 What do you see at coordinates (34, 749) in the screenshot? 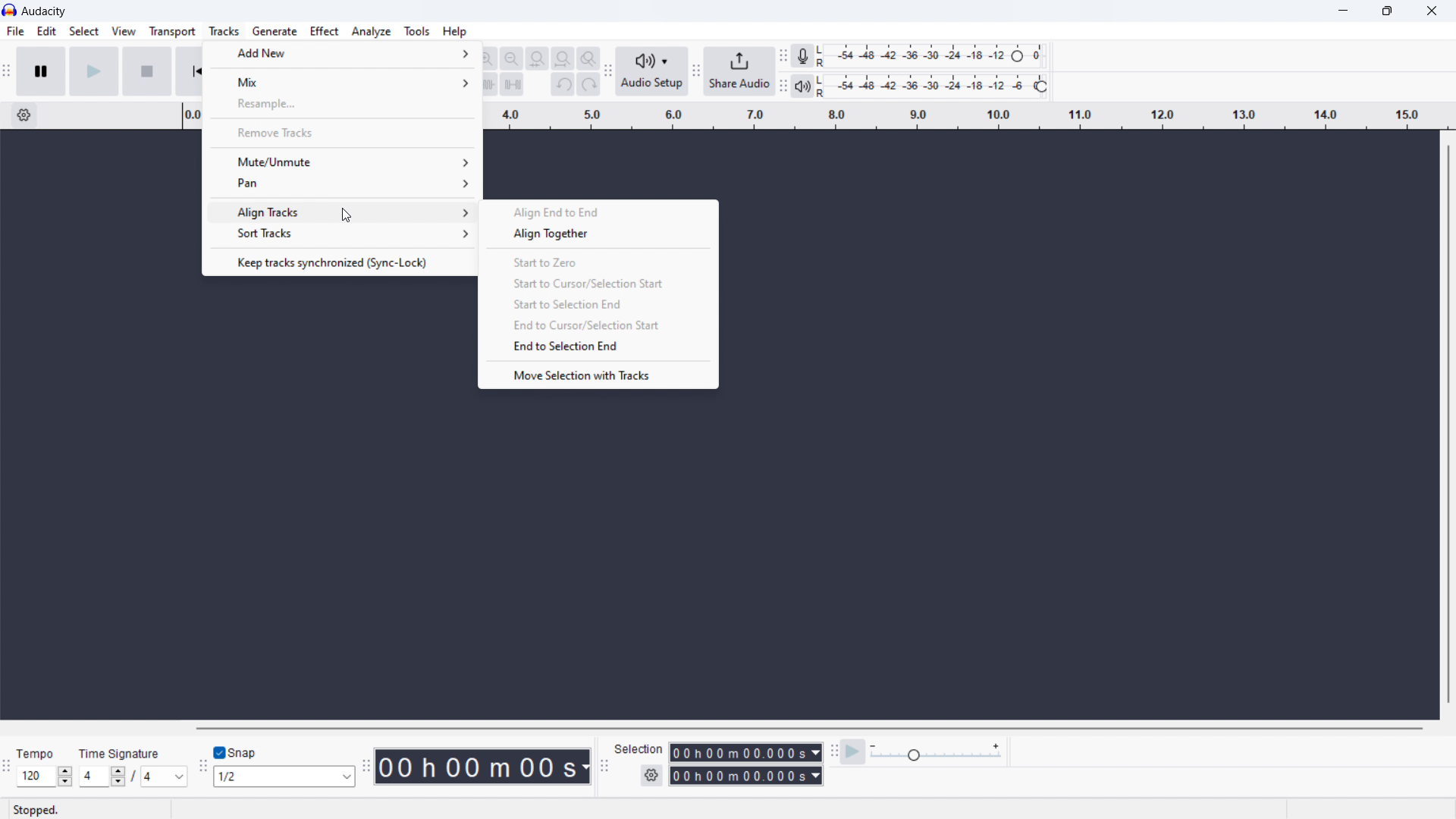
I see `Tempo` at bounding box center [34, 749].